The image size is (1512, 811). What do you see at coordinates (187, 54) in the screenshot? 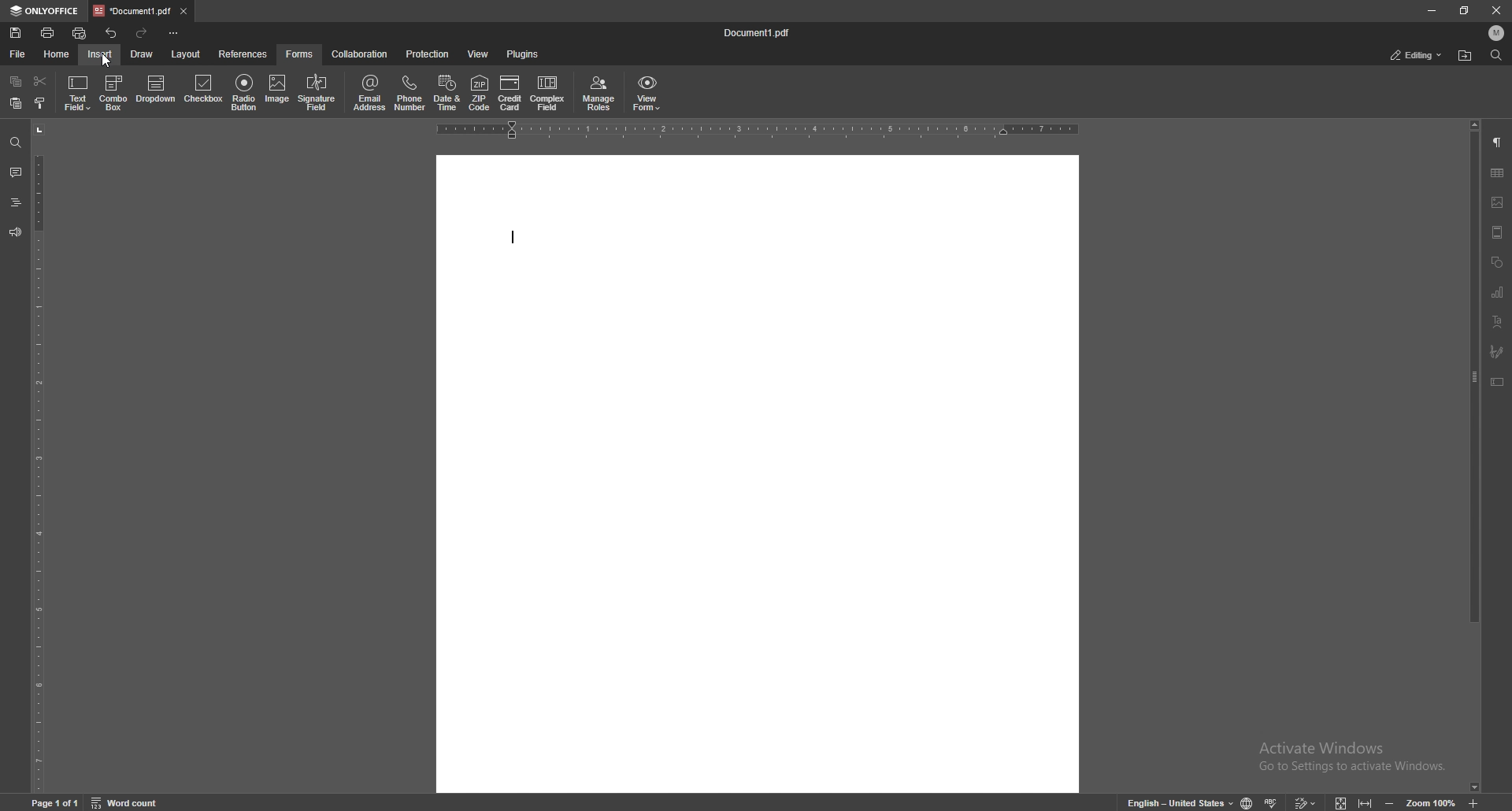
I see `layout` at bounding box center [187, 54].